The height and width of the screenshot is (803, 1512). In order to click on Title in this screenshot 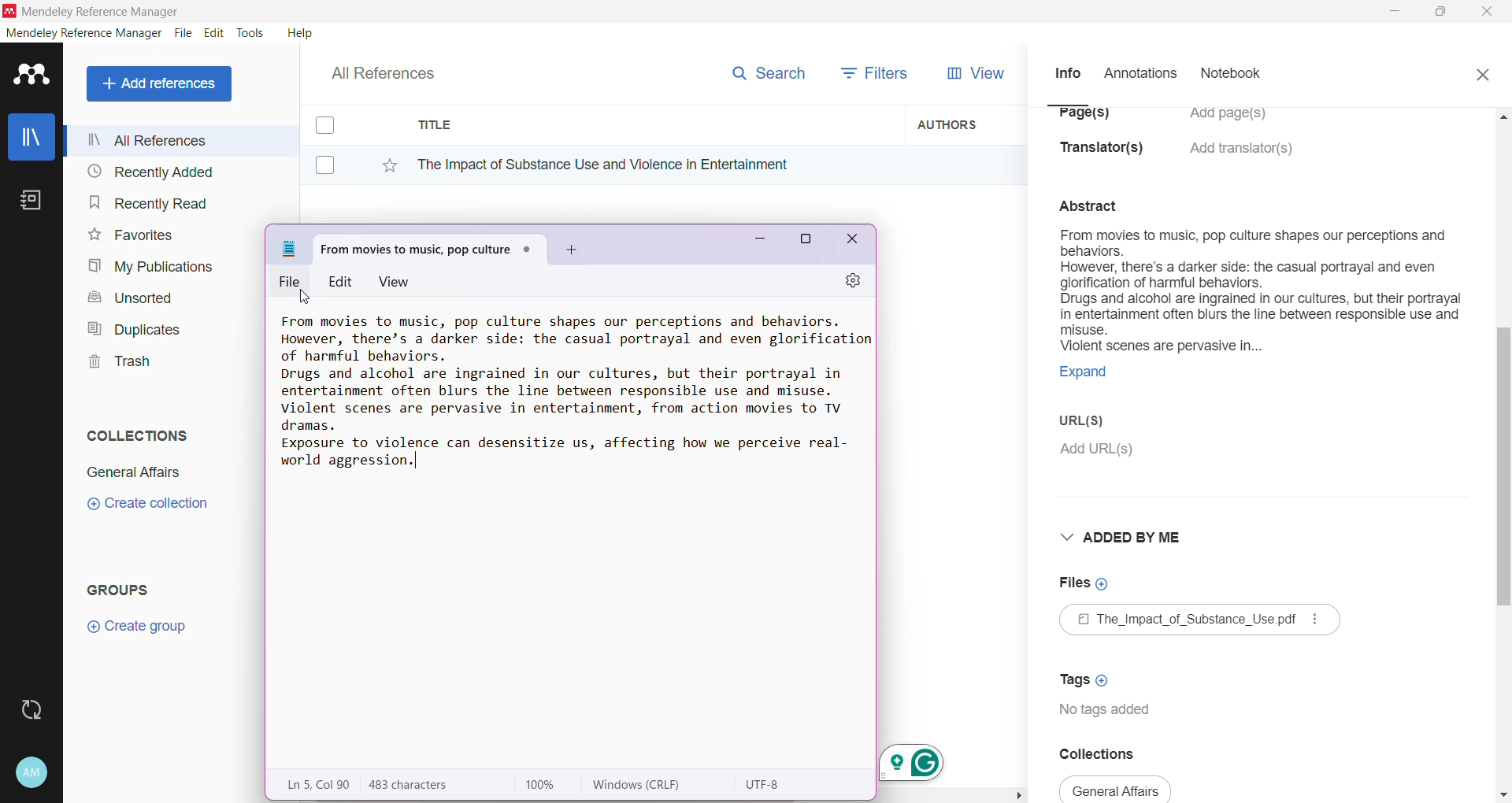, I will do `click(654, 125)`.